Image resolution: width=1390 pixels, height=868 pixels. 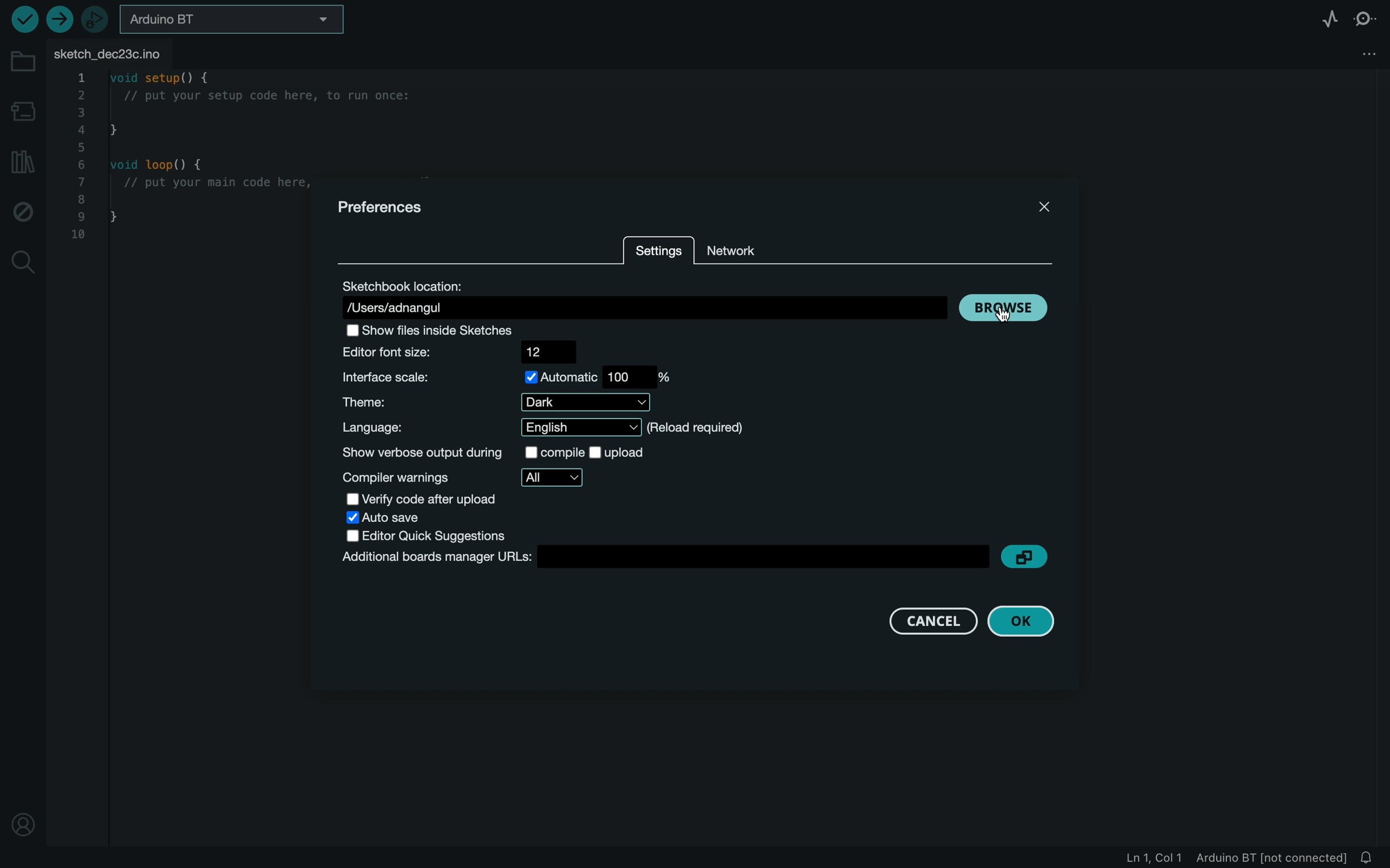 I want to click on cursor, so click(x=1006, y=316).